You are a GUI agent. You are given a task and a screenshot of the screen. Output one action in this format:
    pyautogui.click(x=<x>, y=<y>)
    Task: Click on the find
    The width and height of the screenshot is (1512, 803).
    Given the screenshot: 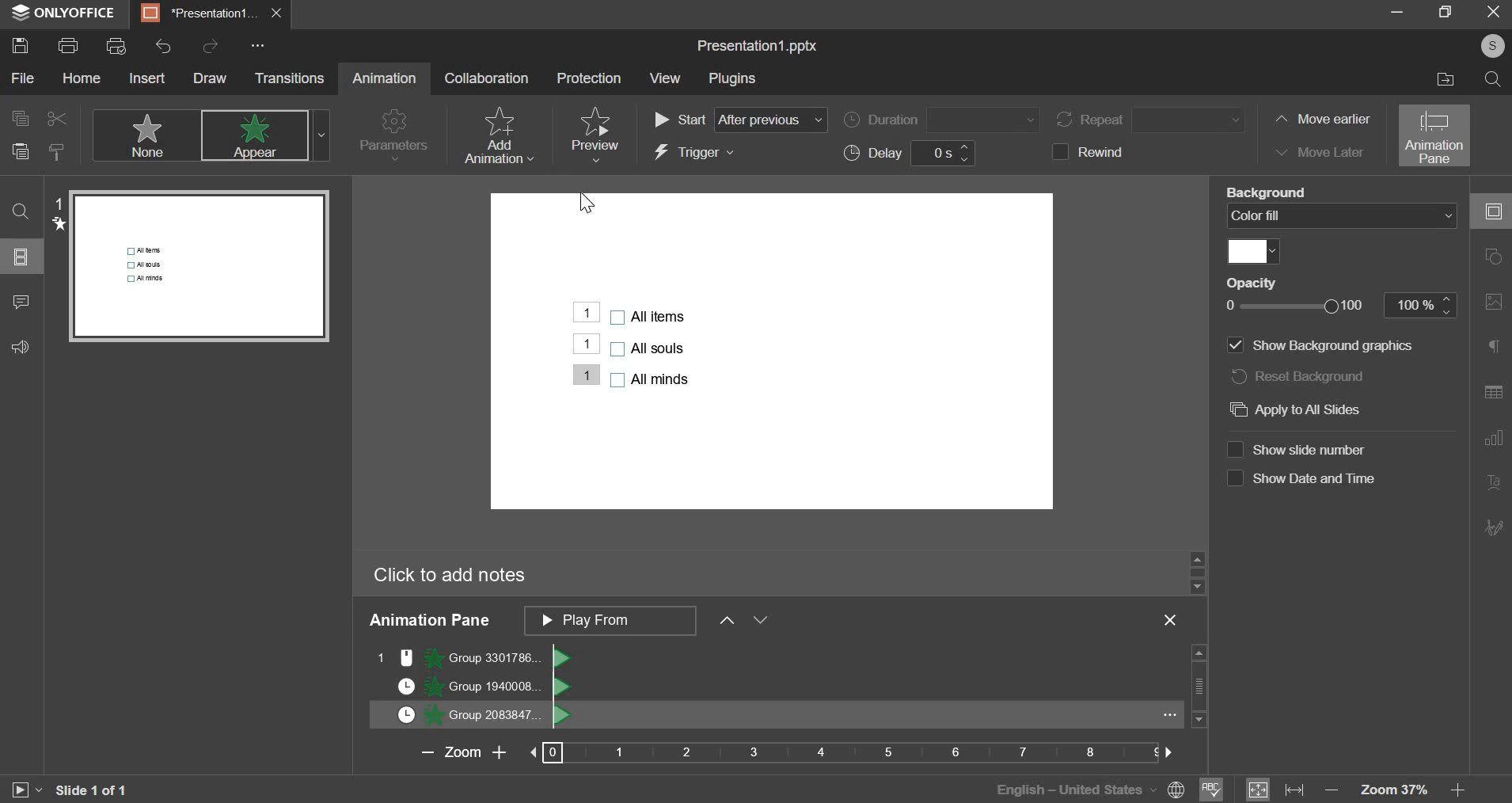 What is the action you would take?
    pyautogui.click(x=21, y=211)
    